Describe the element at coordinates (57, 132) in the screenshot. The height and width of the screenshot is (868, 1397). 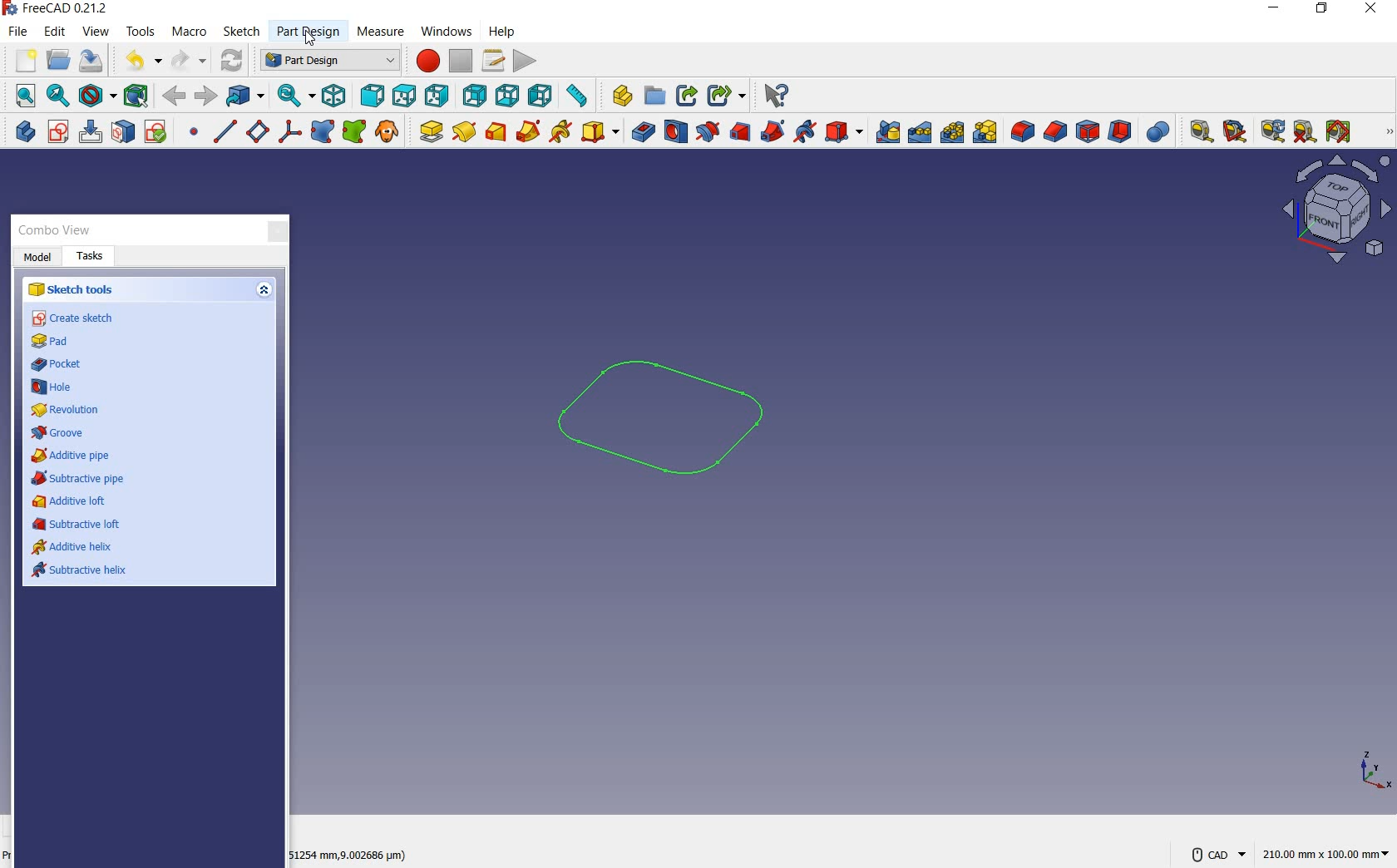
I see `create sketch` at that location.